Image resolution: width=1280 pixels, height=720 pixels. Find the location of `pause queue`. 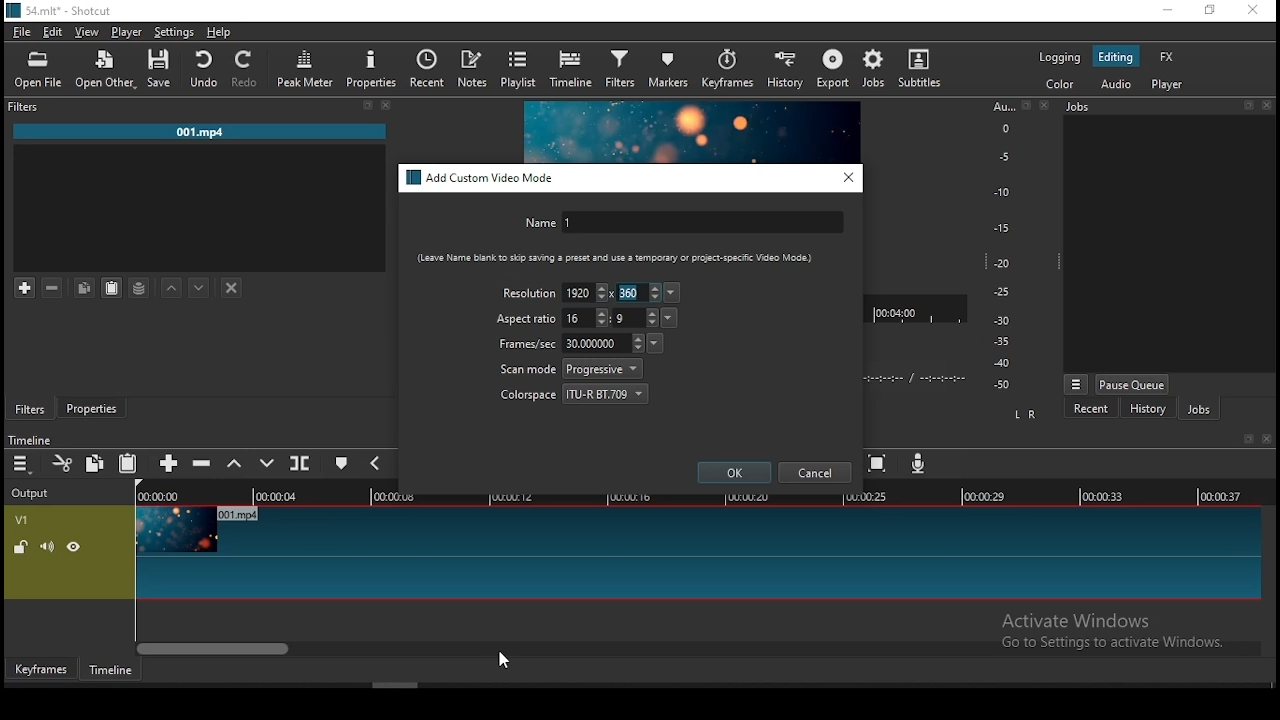

pause queue is located at coordinates (1132, 384).